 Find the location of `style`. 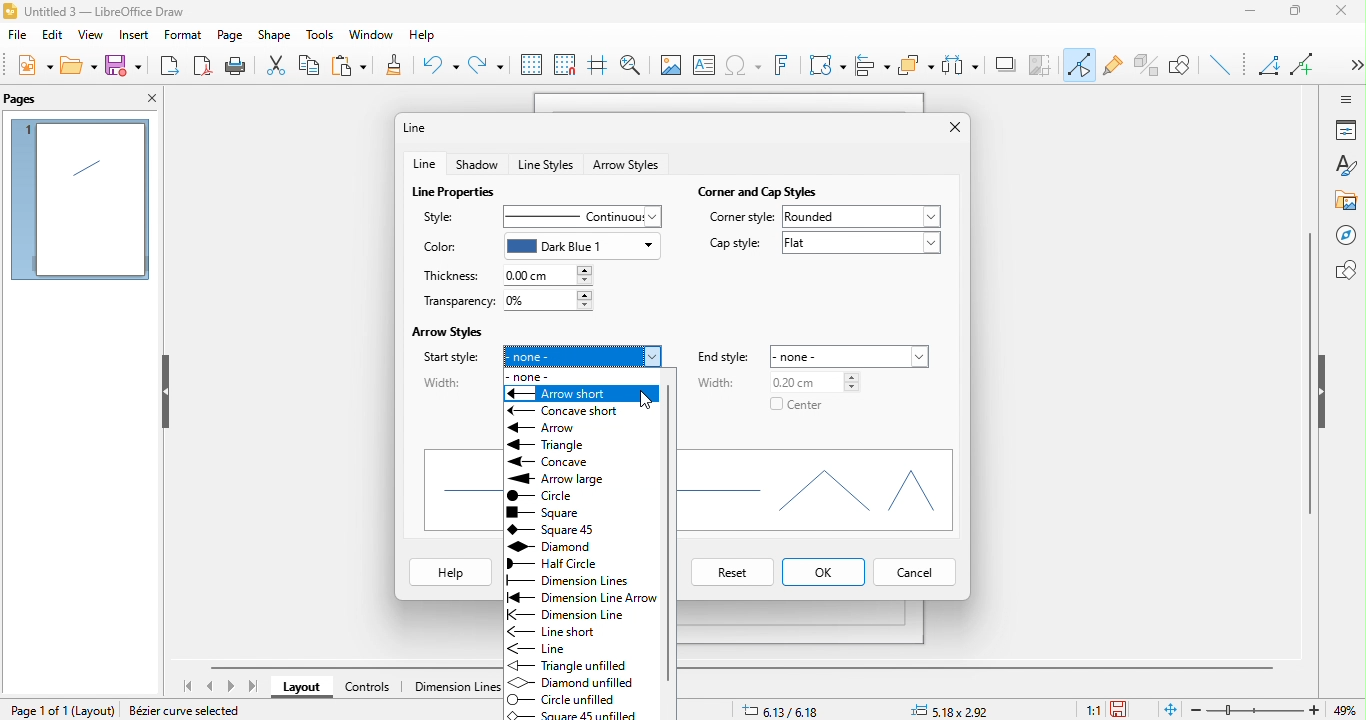

style is located at coordinates (444, 215).